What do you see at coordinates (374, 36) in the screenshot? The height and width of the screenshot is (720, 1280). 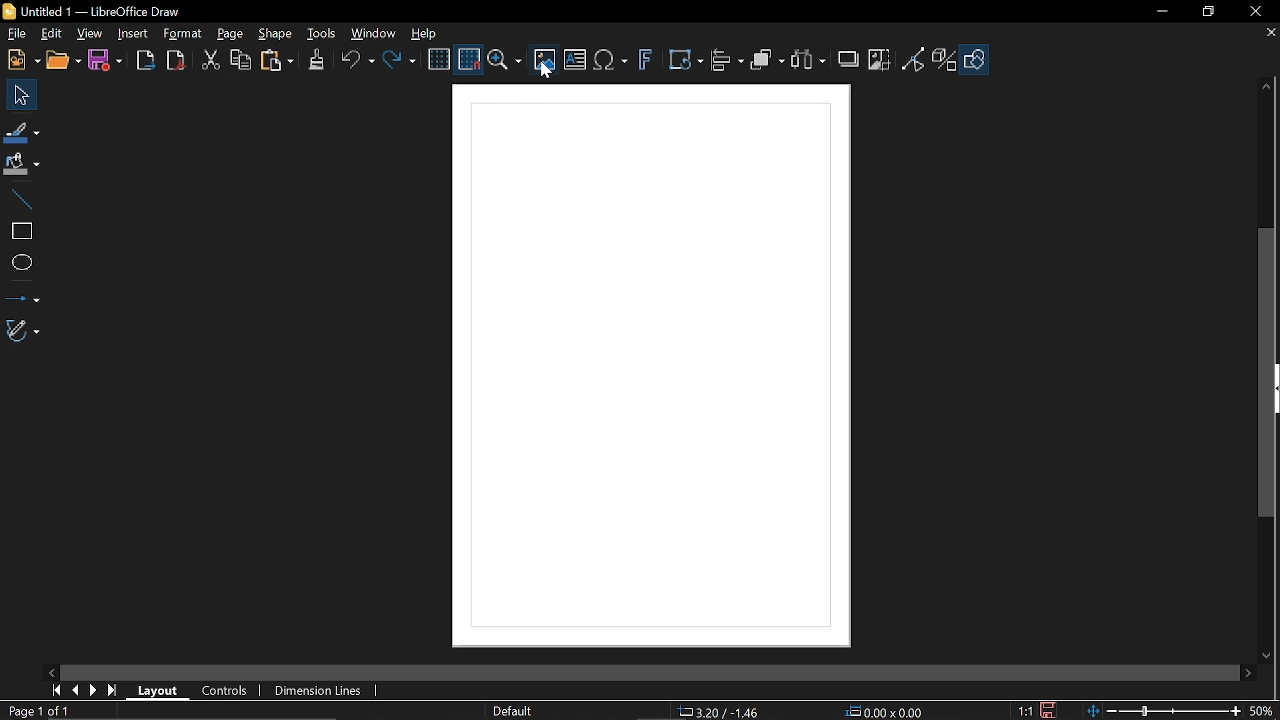 I see `Window` at bounding box center [374, 36].